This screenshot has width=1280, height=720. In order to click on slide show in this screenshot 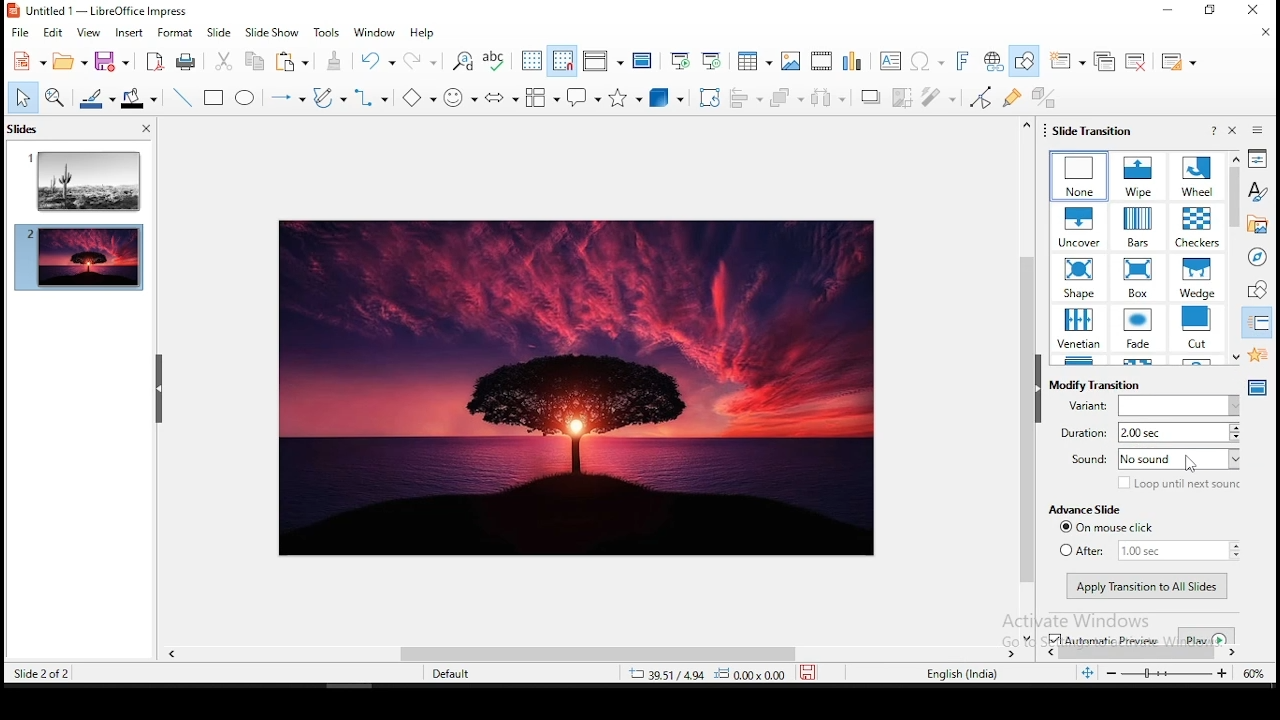, I will do `click(271, 32)`.